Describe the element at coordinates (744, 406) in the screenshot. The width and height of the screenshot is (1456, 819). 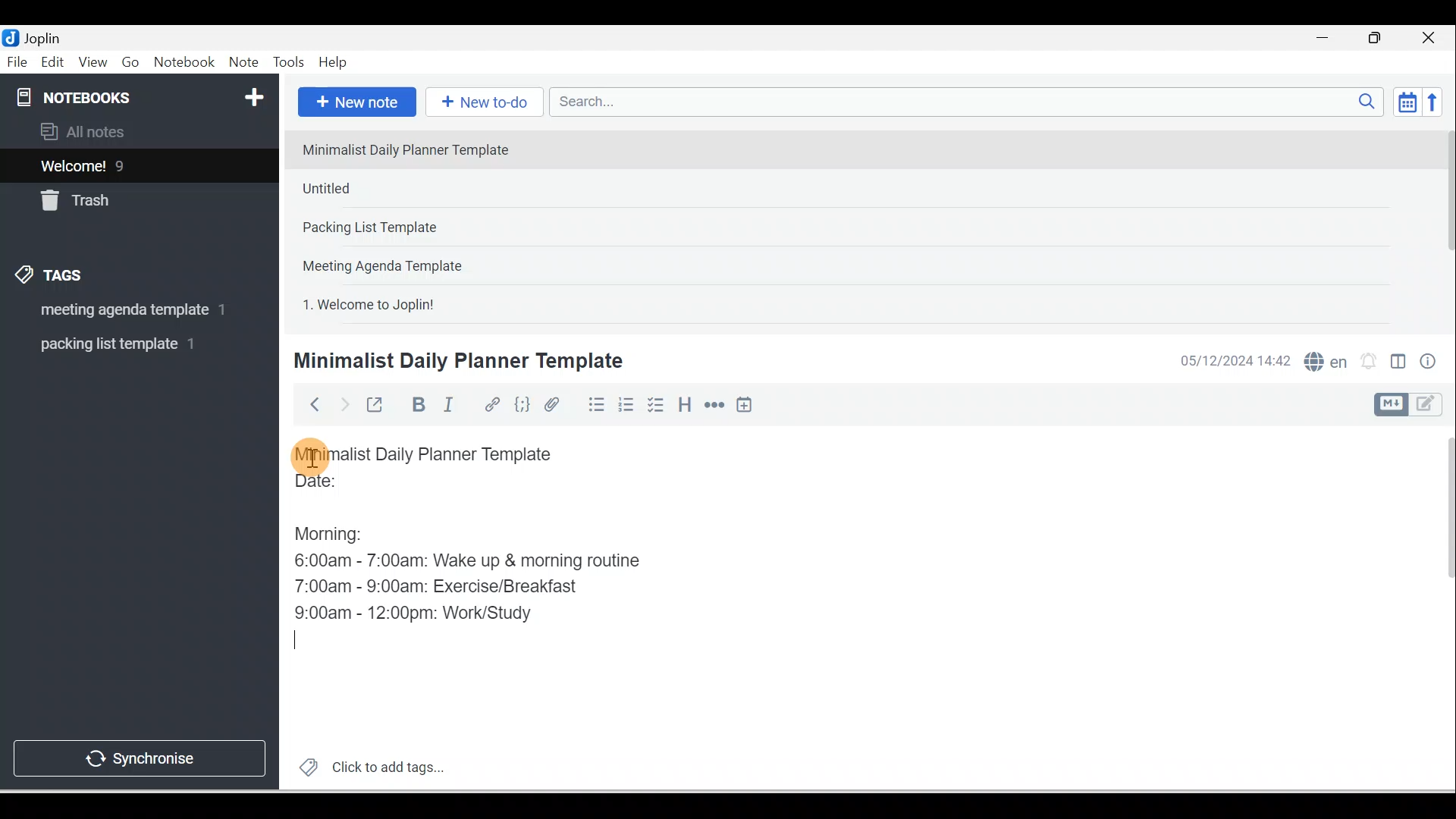
I see `Insert time` at that location.